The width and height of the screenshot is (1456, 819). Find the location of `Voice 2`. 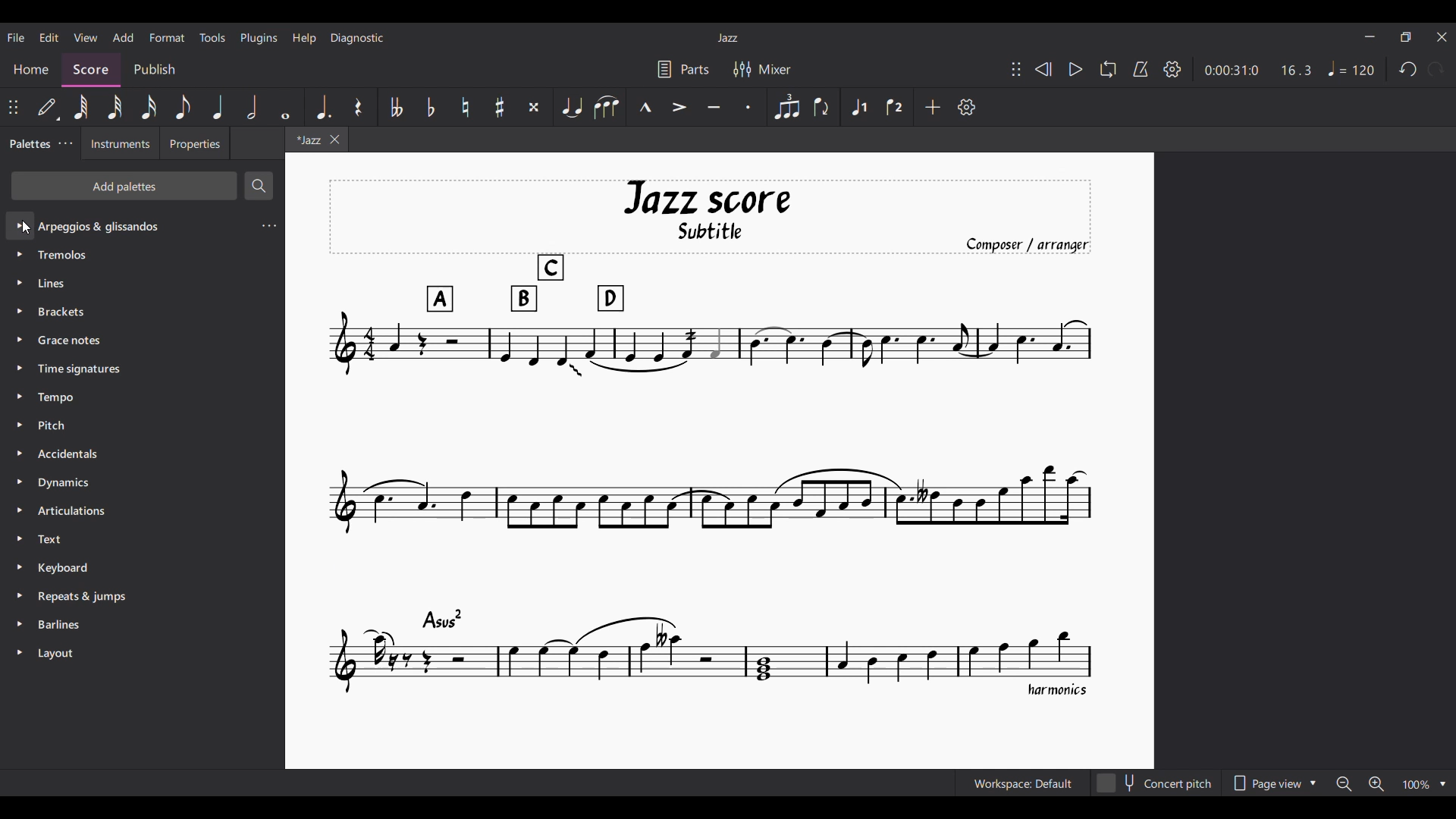

Voice 2 is located at coordinates (895, 106).